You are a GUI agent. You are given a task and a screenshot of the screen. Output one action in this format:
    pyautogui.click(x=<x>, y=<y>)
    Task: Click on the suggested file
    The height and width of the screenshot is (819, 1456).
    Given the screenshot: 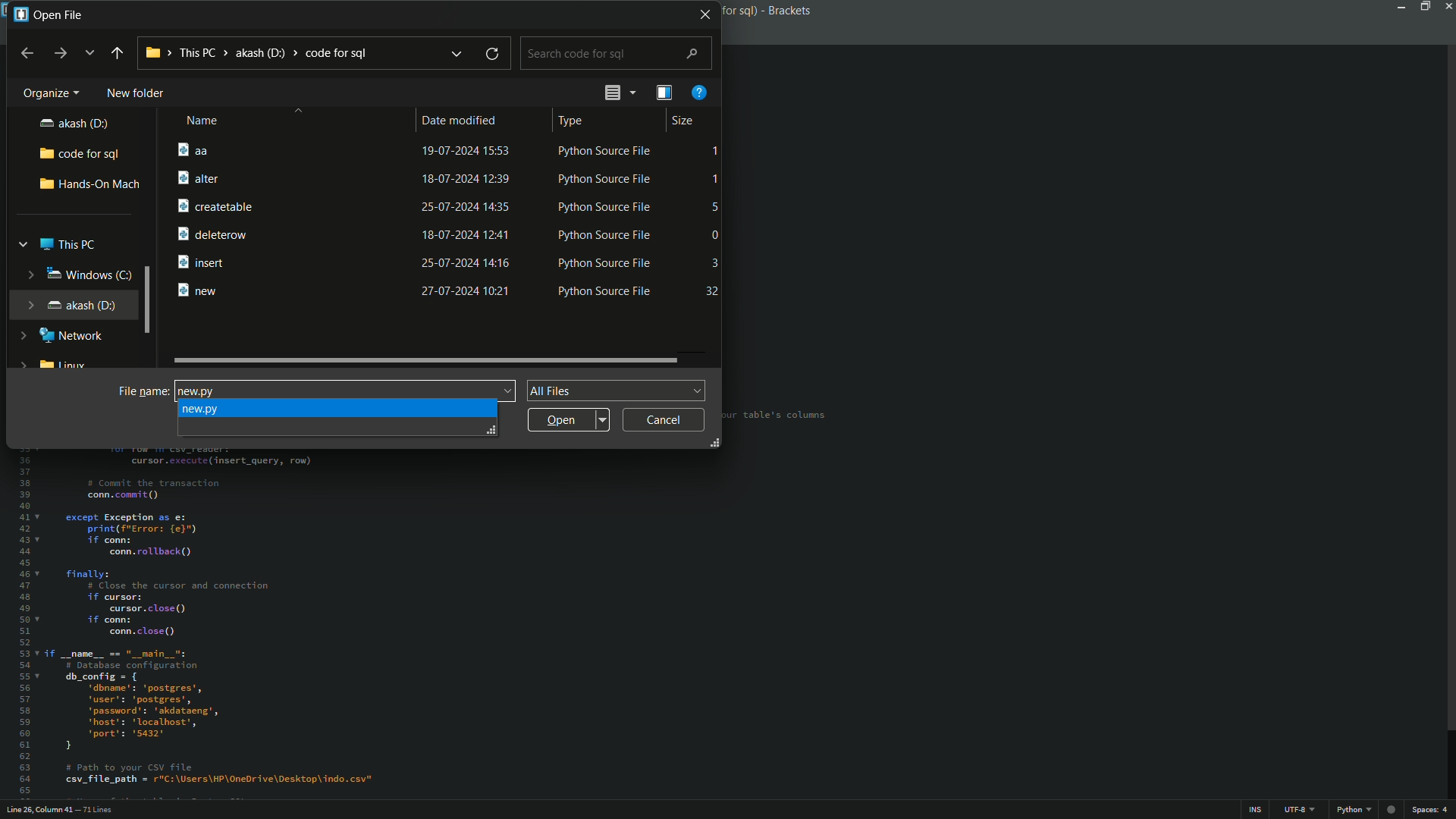 What is the action you would take?
    pyautogui.click(x=203, y=410)
    